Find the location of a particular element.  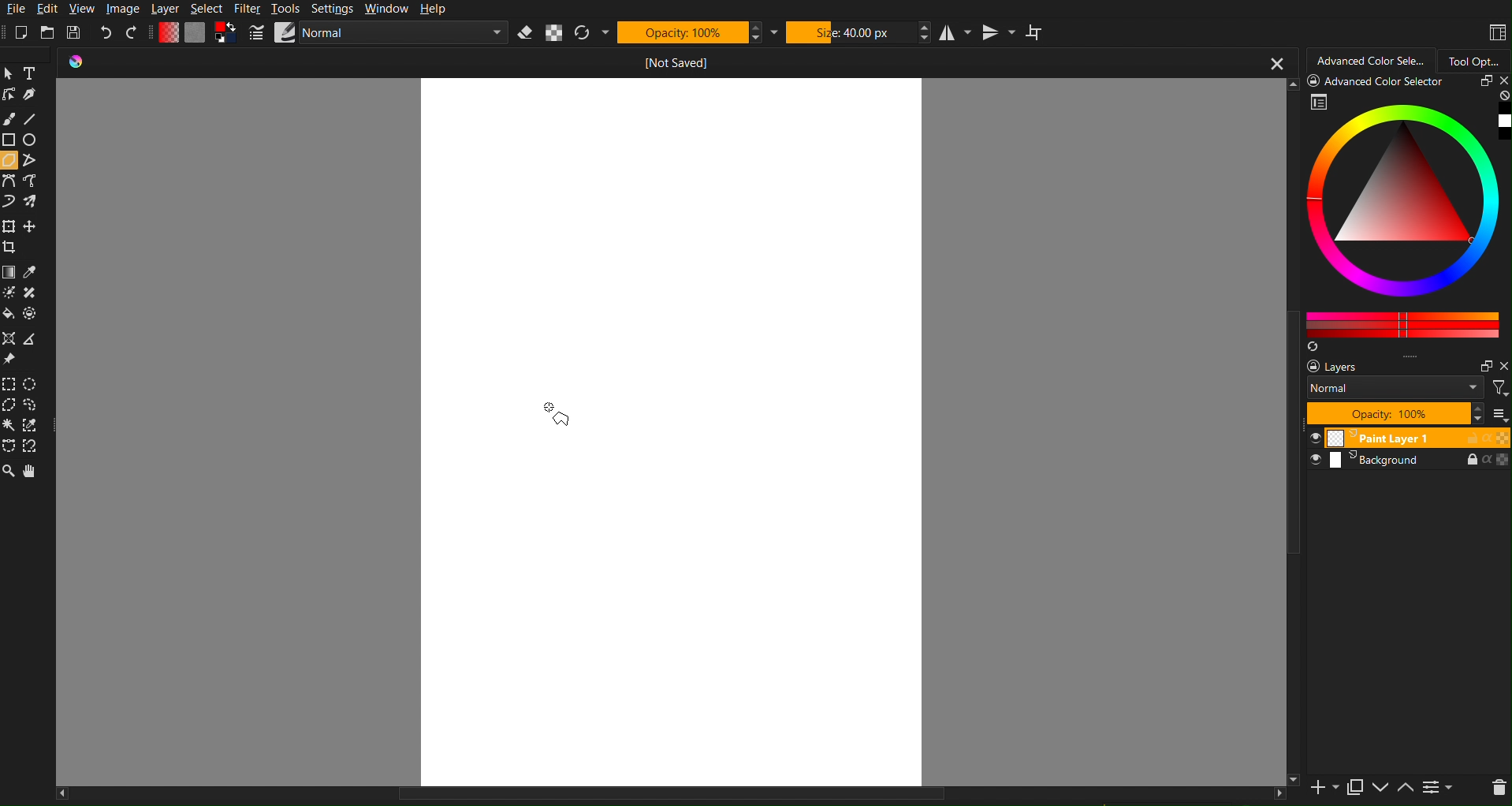

fill a contiguous area of color with a color, or fill a selection is located at coordinates (9, 315).